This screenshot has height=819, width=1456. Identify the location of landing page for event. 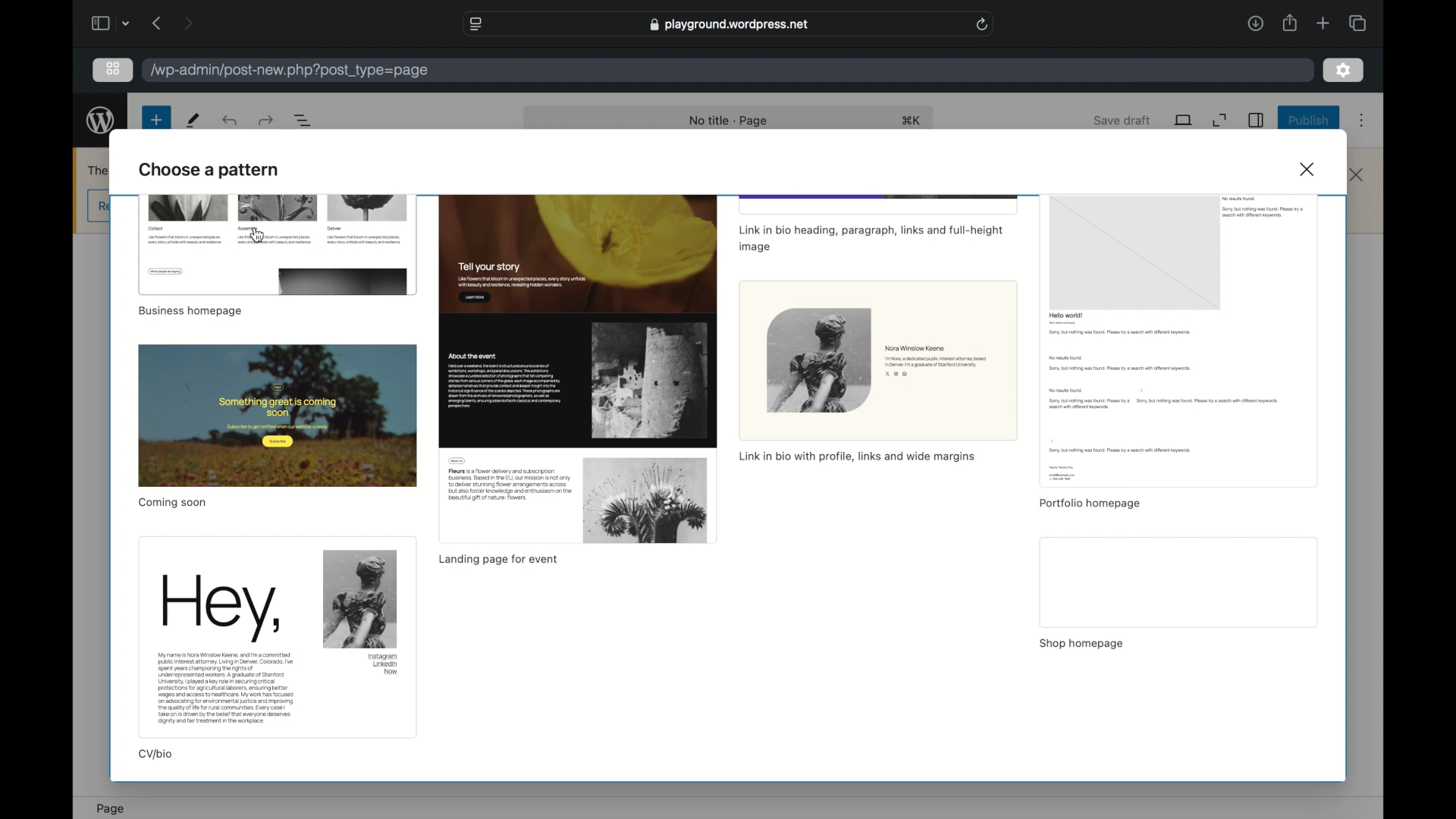
(500, 560).